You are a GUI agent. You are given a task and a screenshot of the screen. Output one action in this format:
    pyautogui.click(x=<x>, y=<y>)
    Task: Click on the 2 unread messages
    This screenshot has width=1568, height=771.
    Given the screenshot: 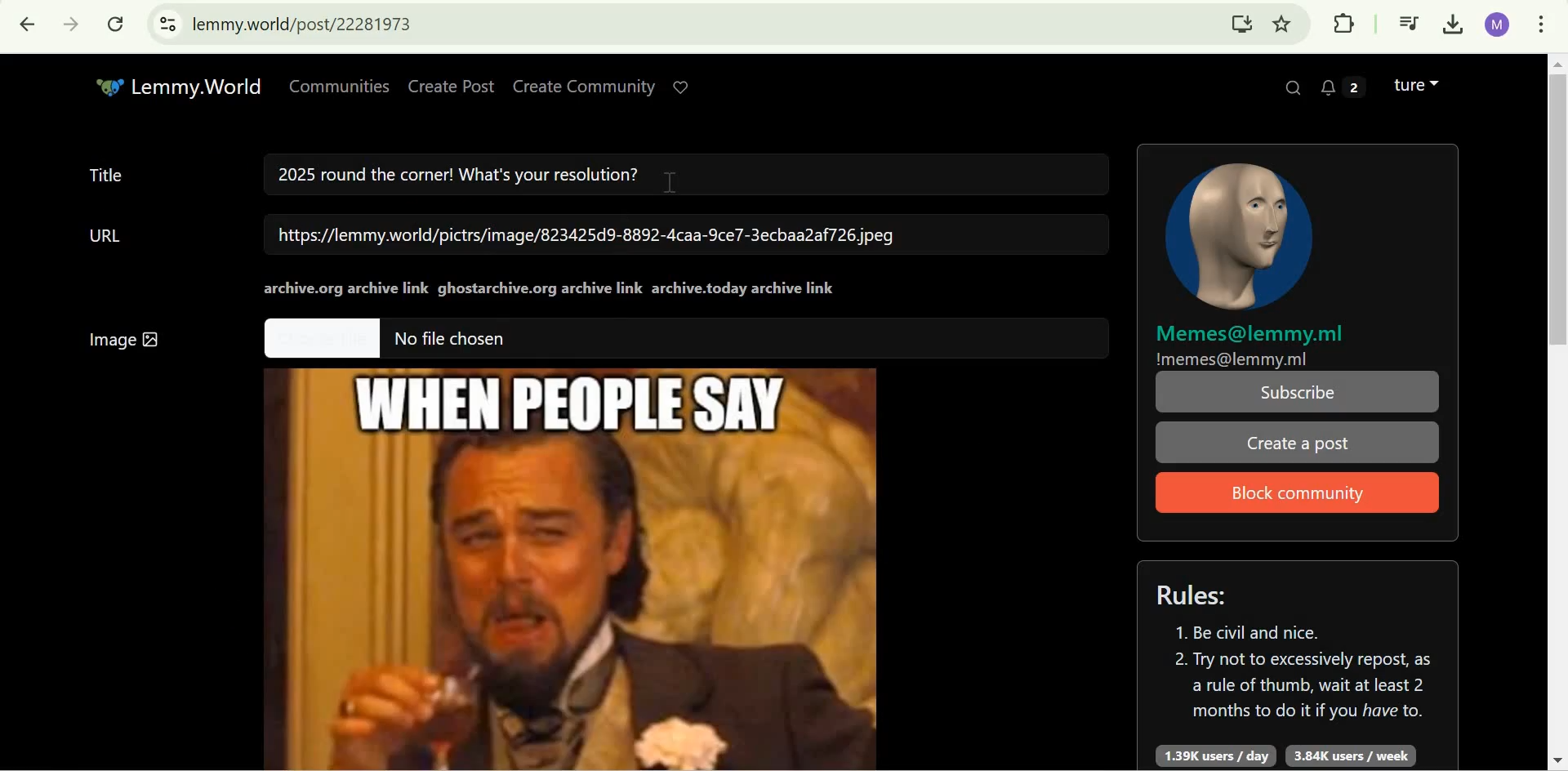 What is the action you would take?
    pyautogui.click(x=1343, y=84)
    